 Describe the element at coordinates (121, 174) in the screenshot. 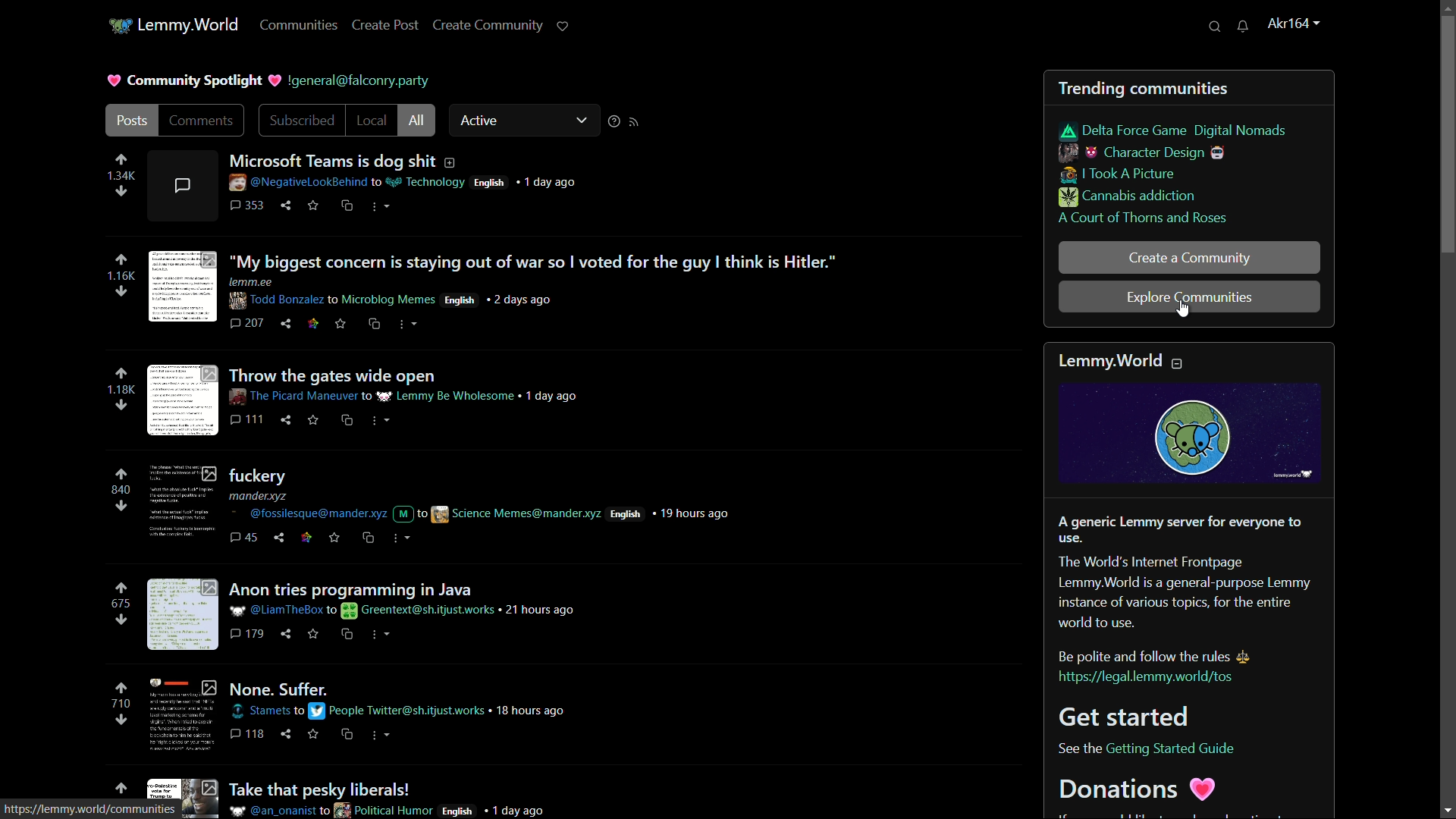

I see `number of votes` at that location.